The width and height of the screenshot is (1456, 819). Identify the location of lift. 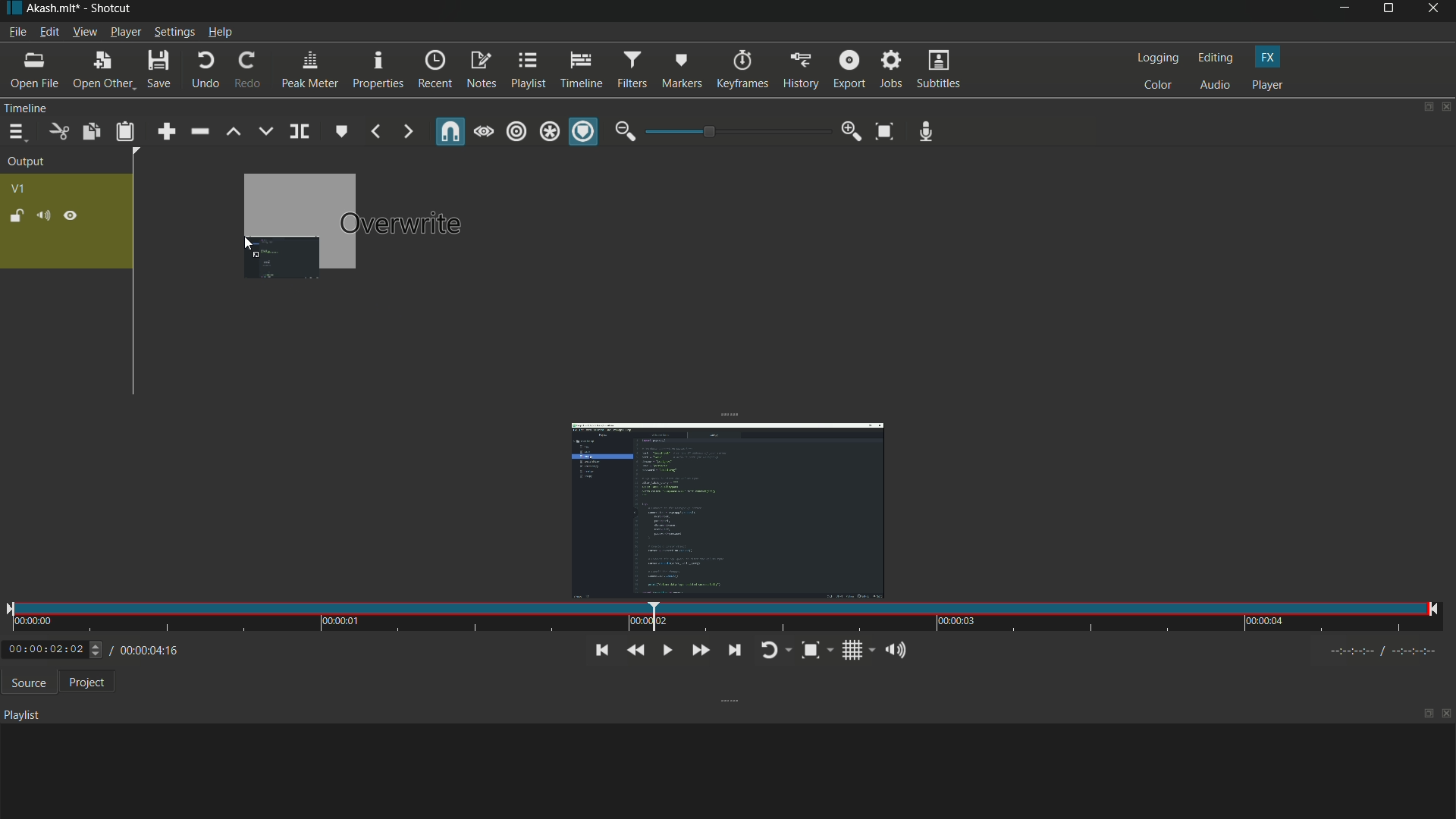
(234, 132).